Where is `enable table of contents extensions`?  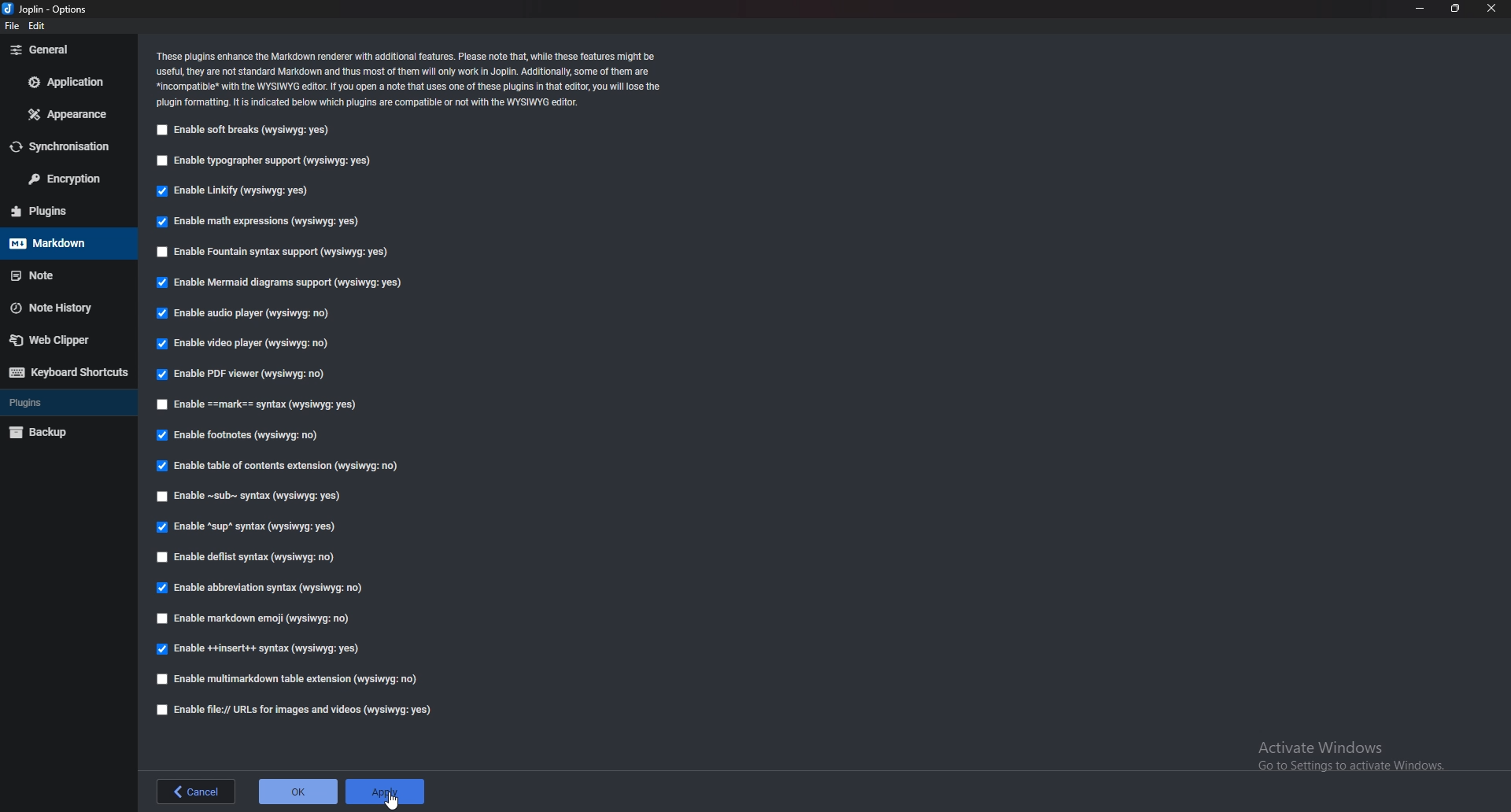
enable table of contents extensions is located at coordinates (277, 467).